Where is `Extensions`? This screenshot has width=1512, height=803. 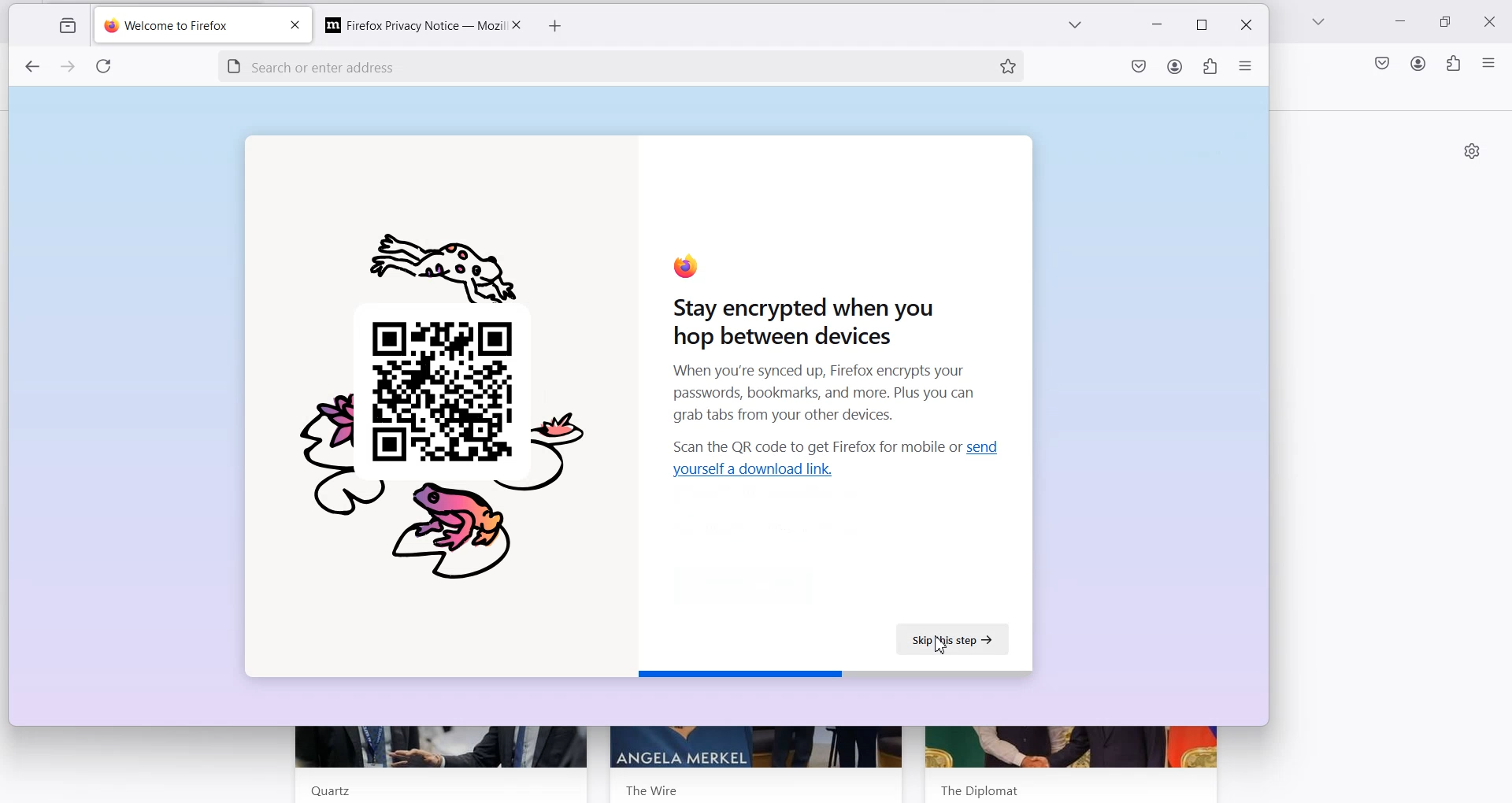
Extensions is located at coordinates (1453, 64).